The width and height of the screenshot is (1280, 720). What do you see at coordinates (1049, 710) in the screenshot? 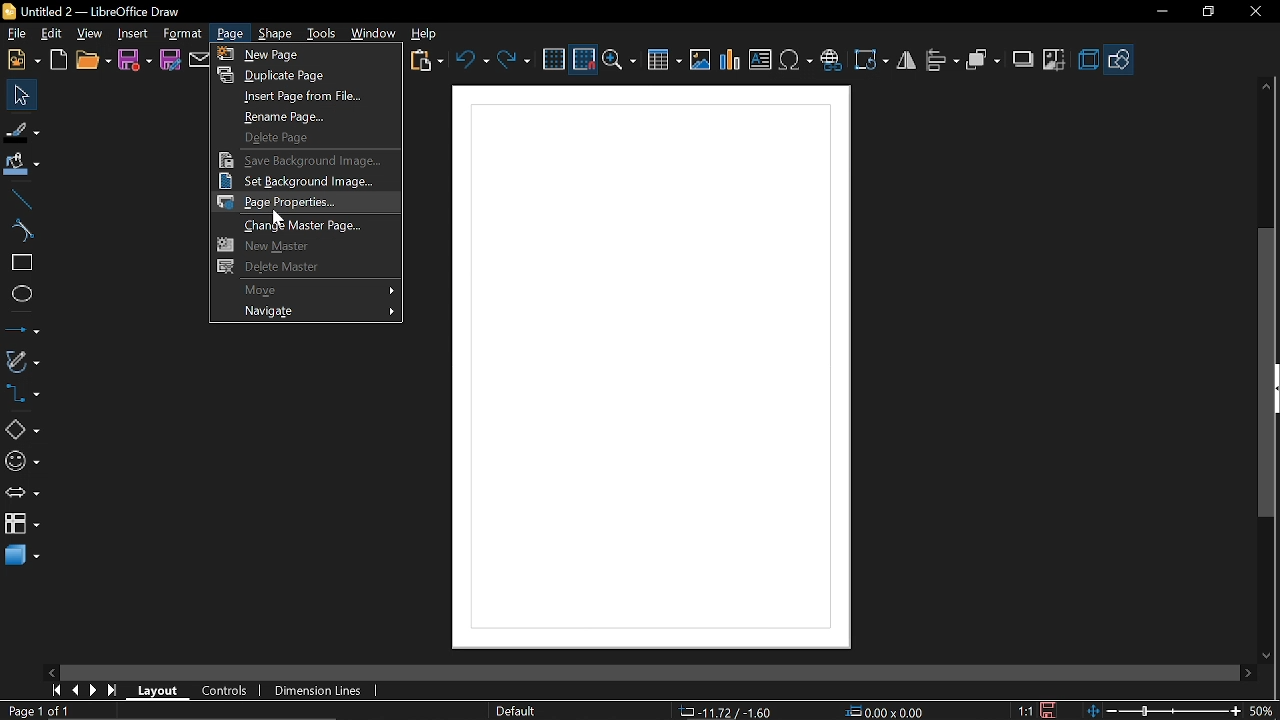
I see `Save` at bounding box center [1049, 710].